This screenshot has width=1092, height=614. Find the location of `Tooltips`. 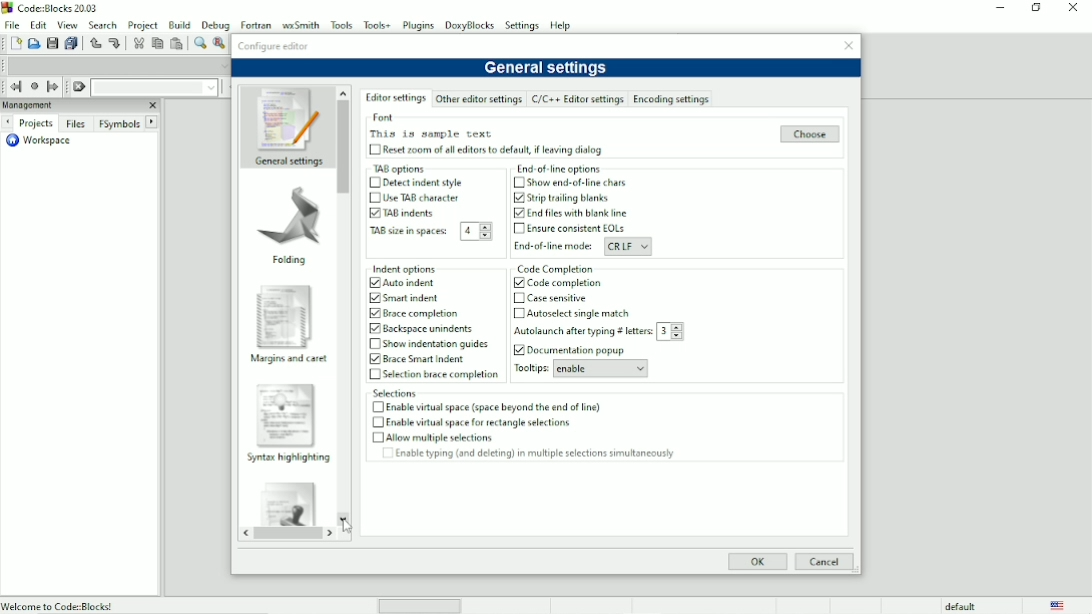

Tooltips is located at coordinates (530, 369).